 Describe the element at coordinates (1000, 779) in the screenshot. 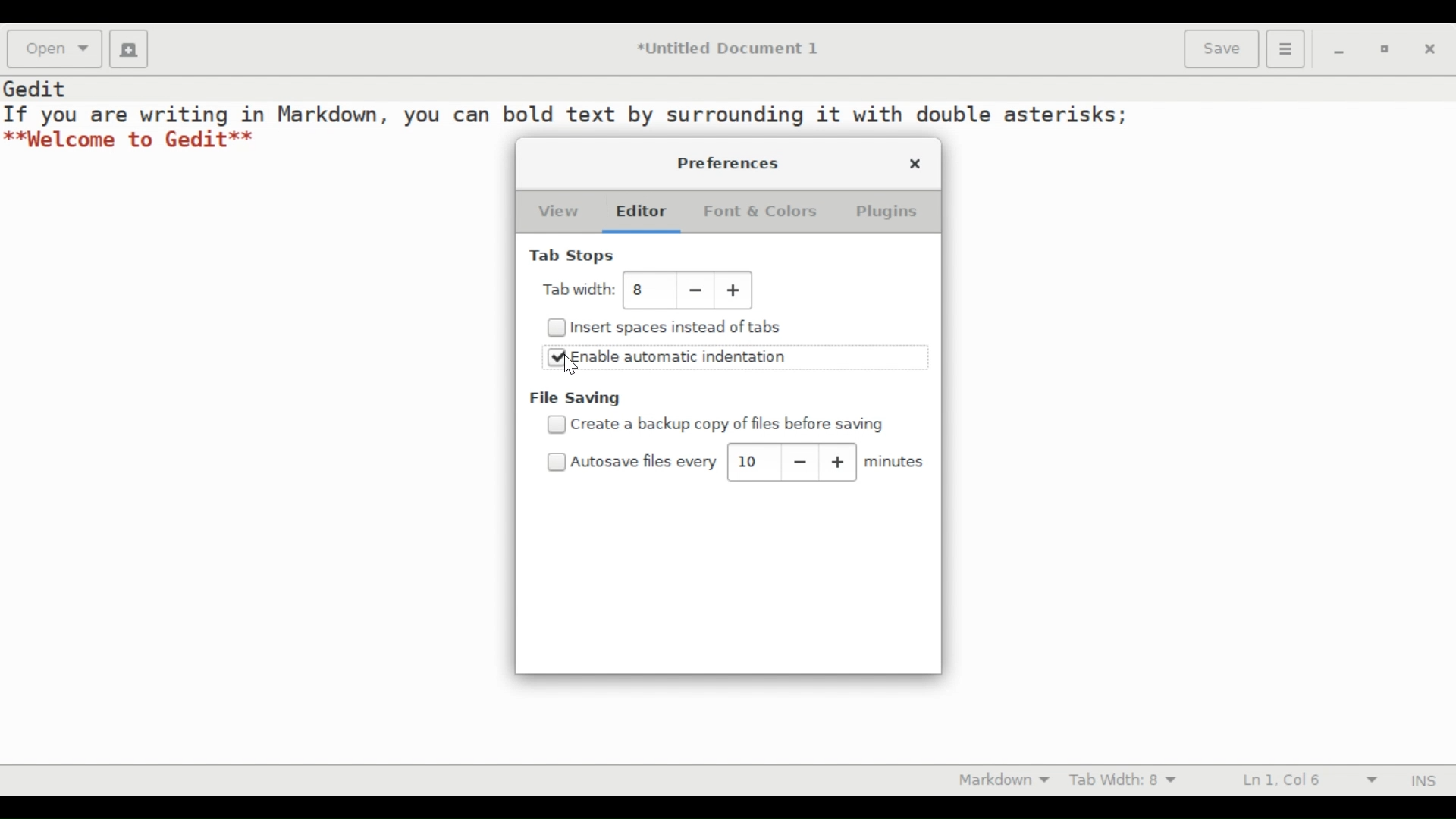

I see `Highlight mode otion` at that location.